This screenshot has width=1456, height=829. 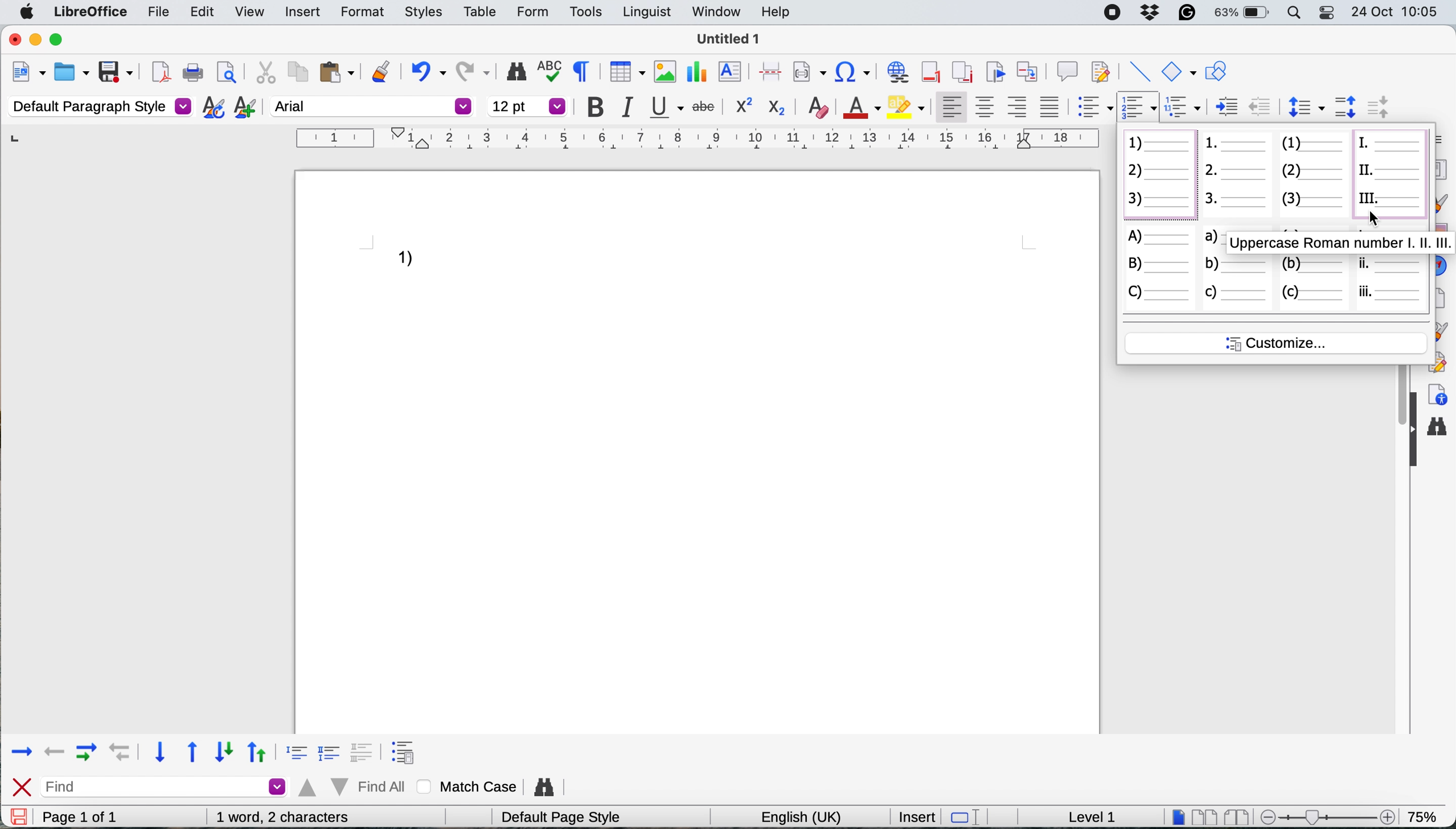 What do you see at coordinates (1261, 105) in the screenshot?
I see `increase indent` at bounding box center [1261, 105].